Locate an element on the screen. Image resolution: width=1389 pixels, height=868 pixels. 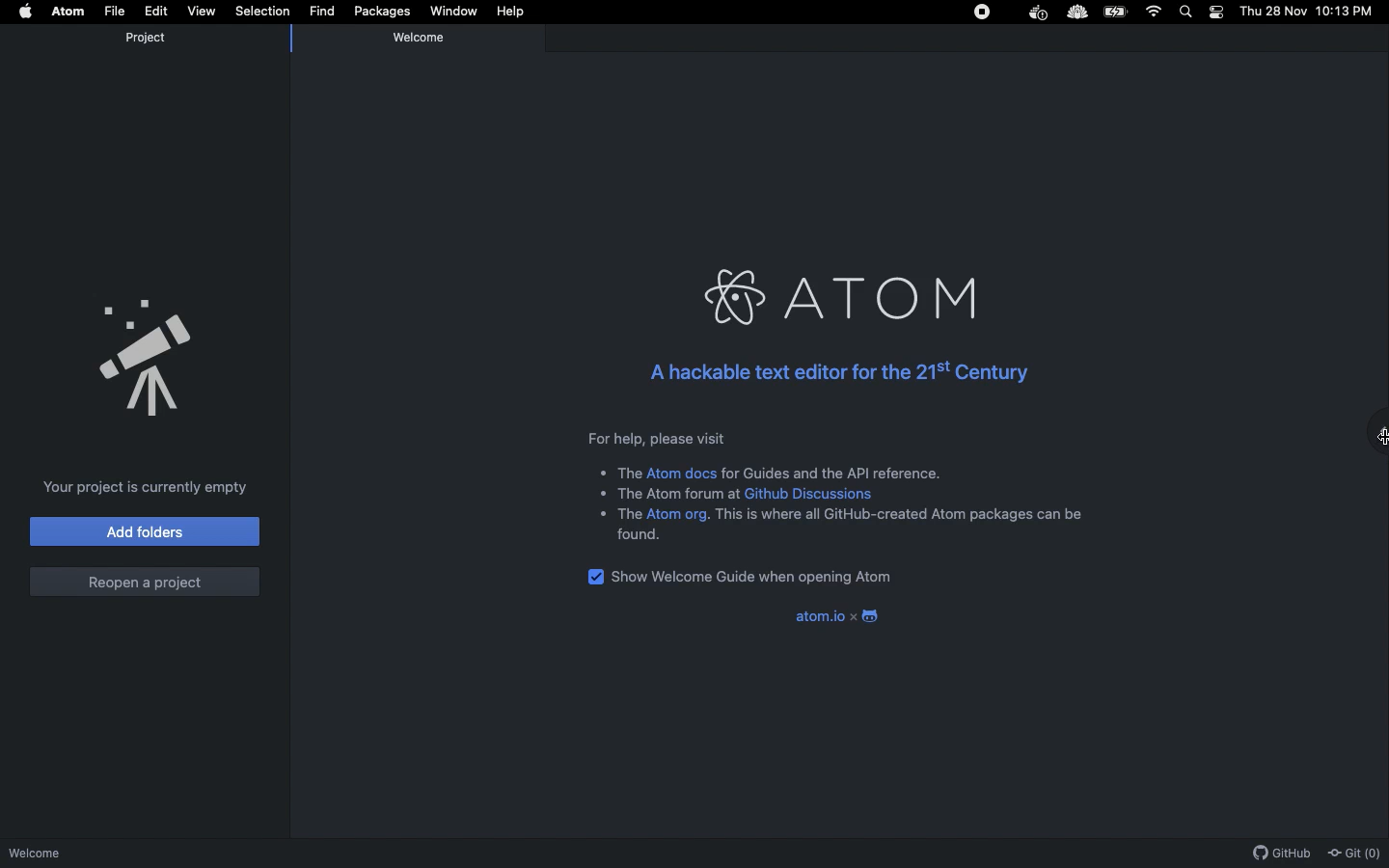
atom.io is located at coordinates (834, 618).